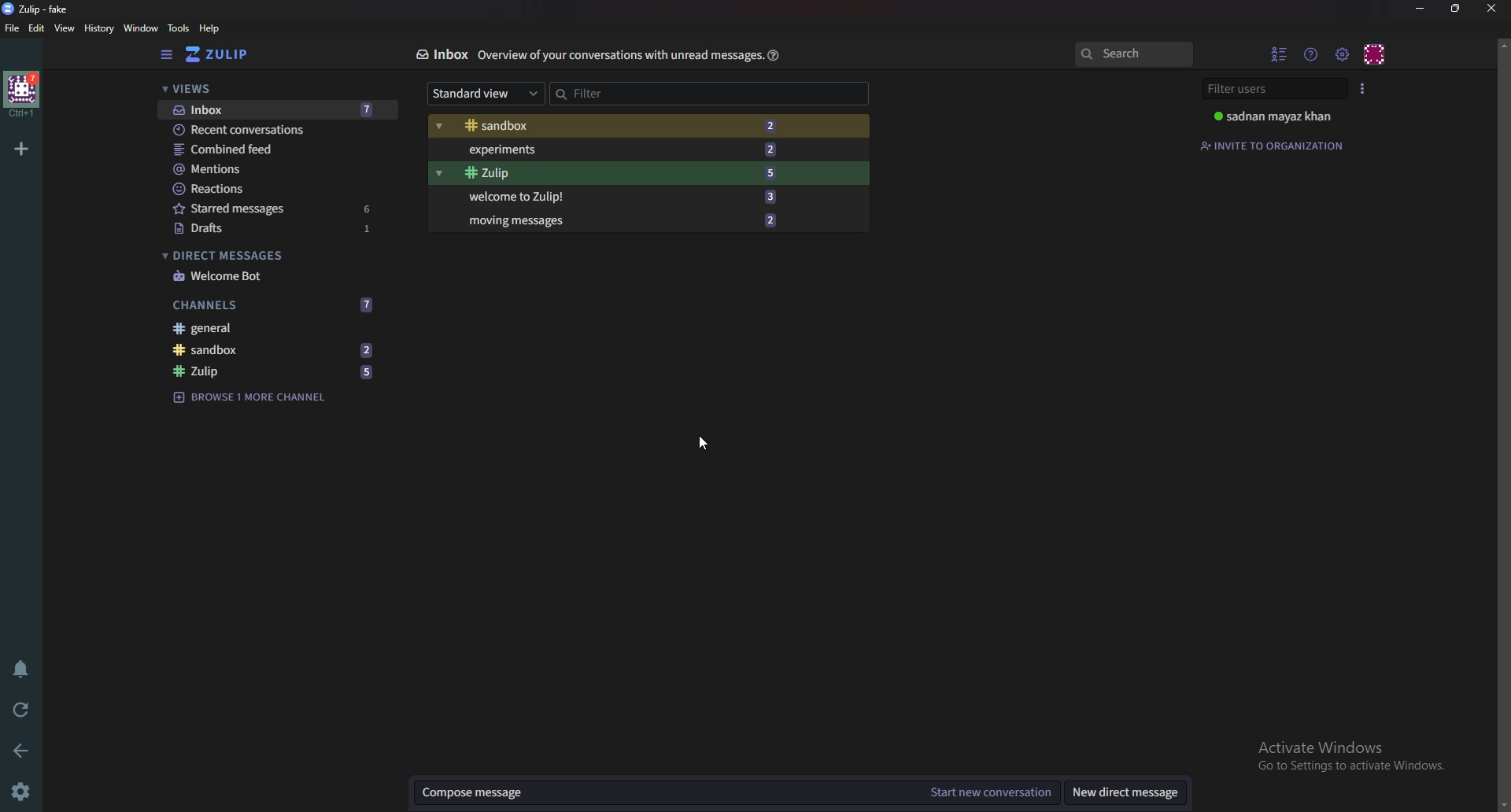  Describe the element at coordinates (1376, 53) in the screenshot. I see `personal menu` at that location.